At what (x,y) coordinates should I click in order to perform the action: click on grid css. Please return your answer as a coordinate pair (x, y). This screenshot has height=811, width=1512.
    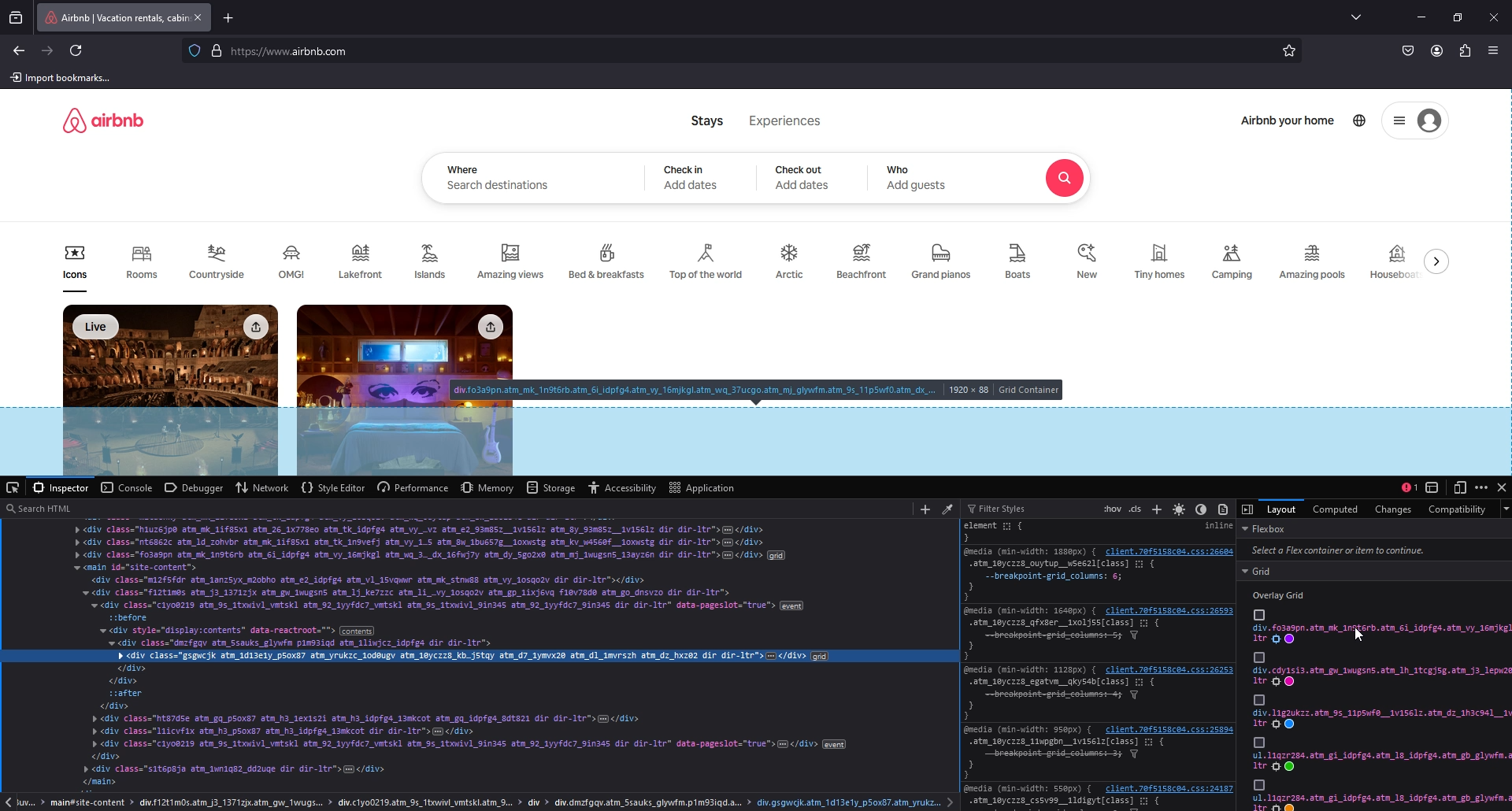
    Looking at the image, I should click on (1380, 719).